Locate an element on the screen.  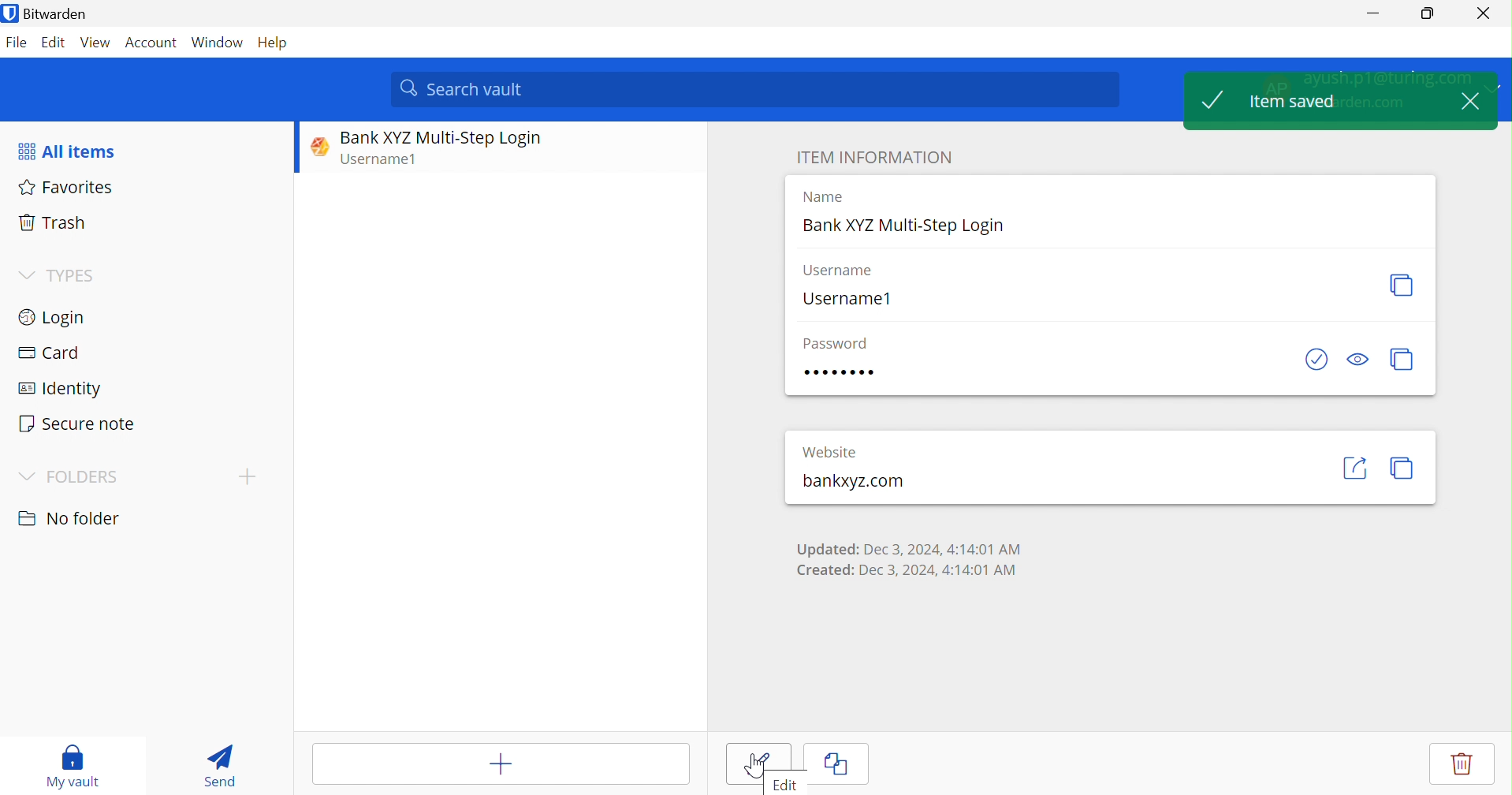
Drop Down is located at coordinates (25, 274).